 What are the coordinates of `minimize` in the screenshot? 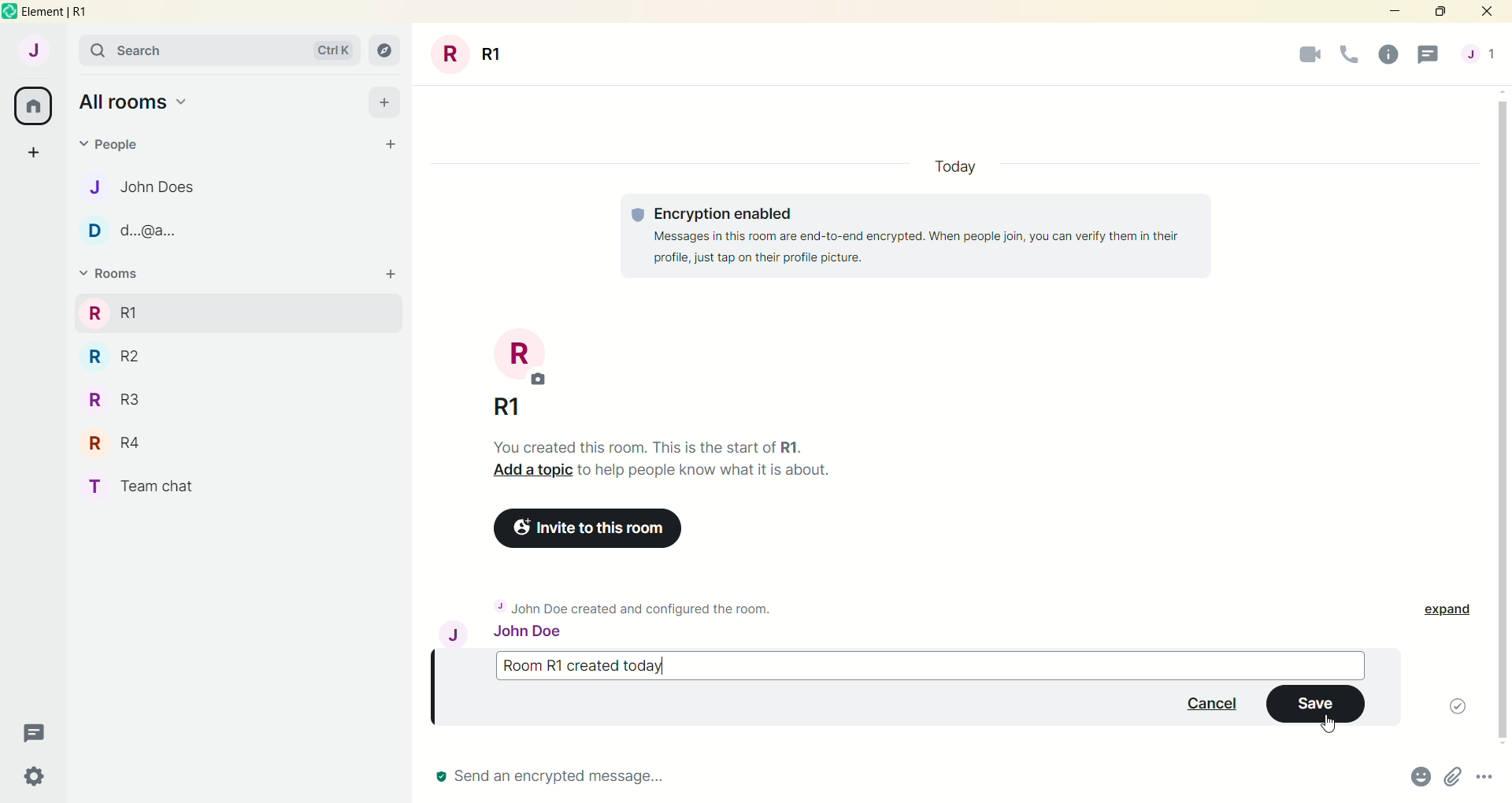 It's located at (1392, 13).